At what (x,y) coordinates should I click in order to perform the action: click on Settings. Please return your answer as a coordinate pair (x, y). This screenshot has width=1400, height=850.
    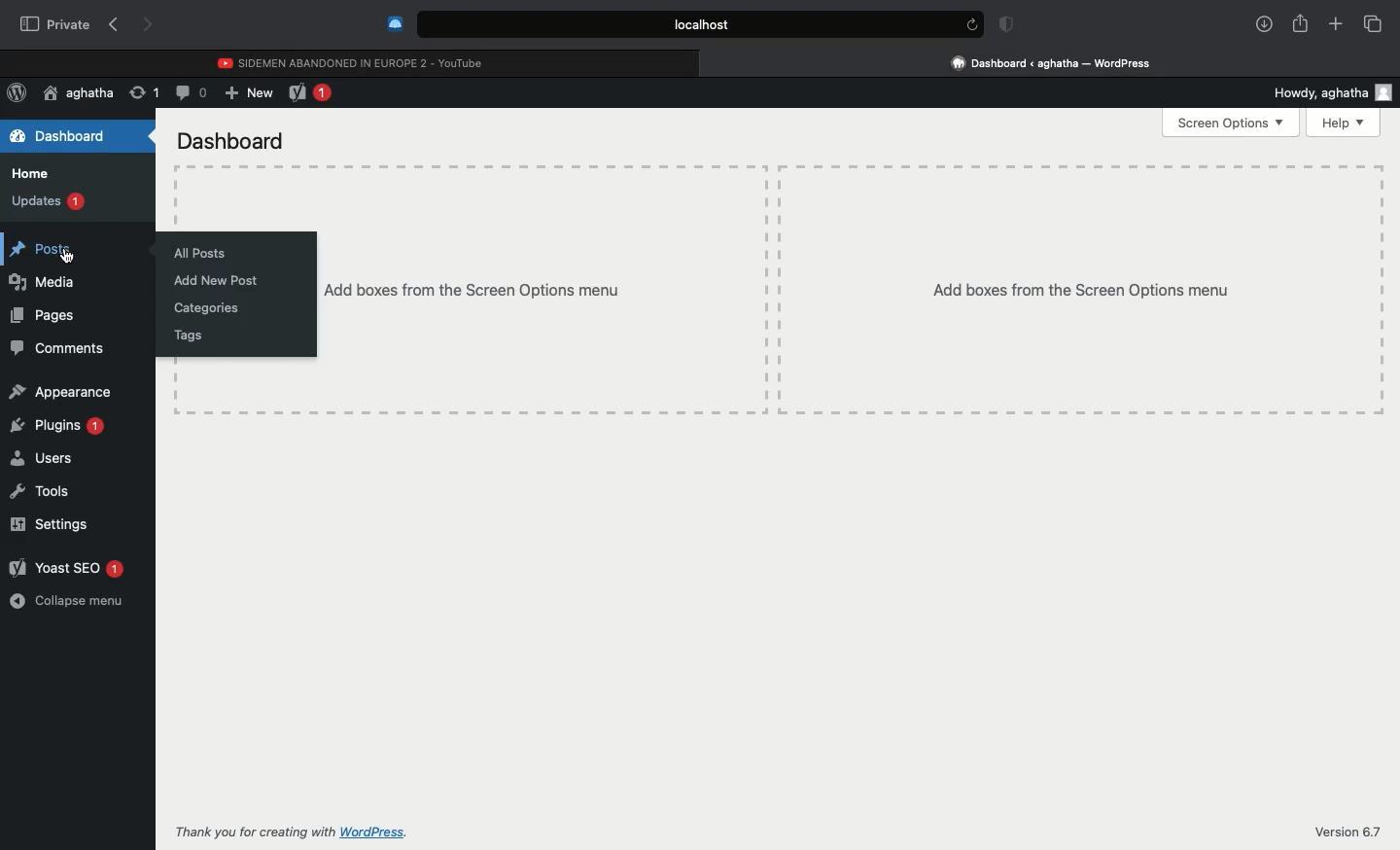
    Looking at the image, I should click on (51, 522).